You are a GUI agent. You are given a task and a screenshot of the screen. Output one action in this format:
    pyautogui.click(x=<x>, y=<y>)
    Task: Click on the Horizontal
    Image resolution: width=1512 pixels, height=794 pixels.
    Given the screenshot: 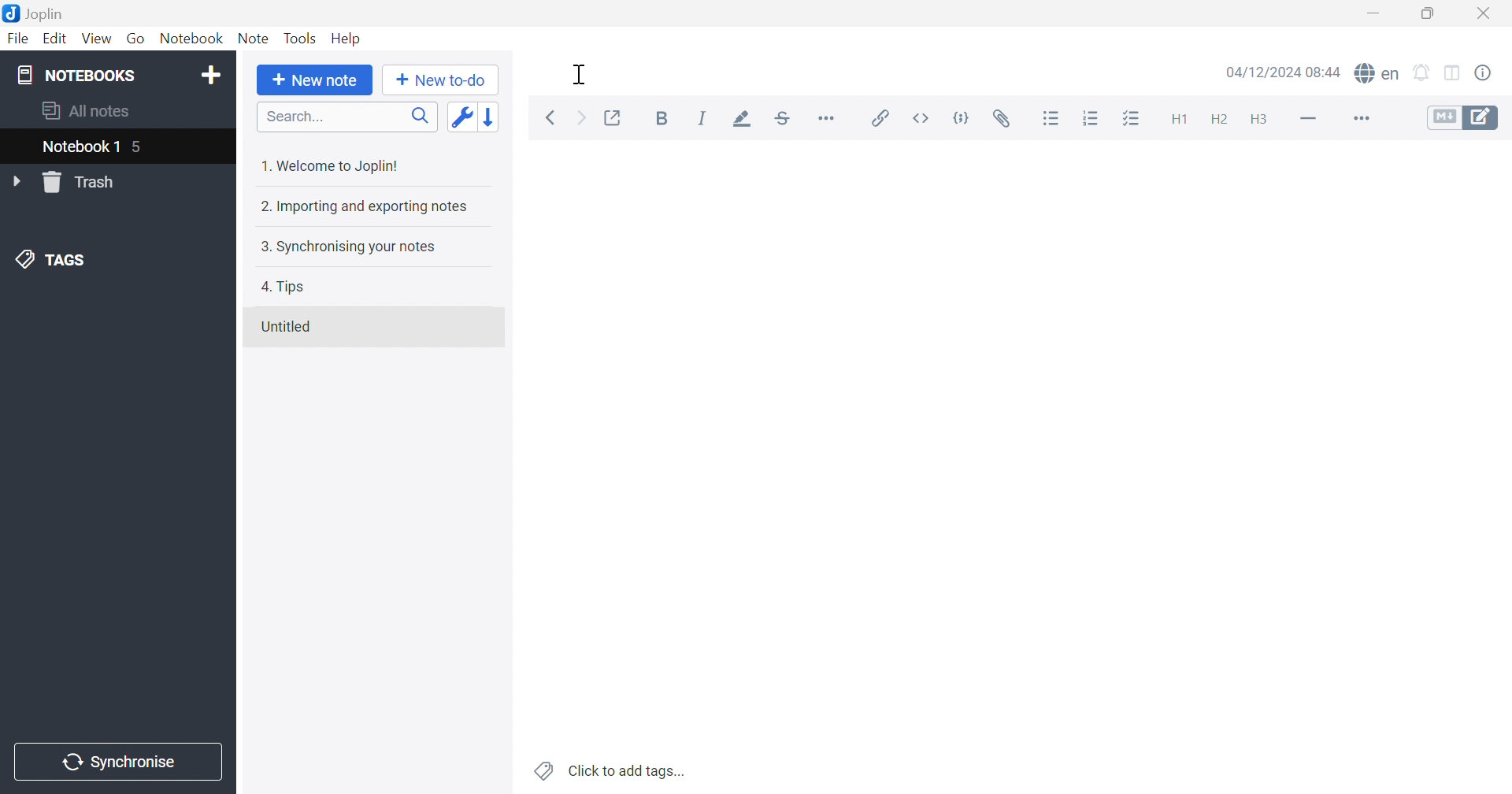 What is the action you would take?
    pyautogui.click(x=826, y=118)
    